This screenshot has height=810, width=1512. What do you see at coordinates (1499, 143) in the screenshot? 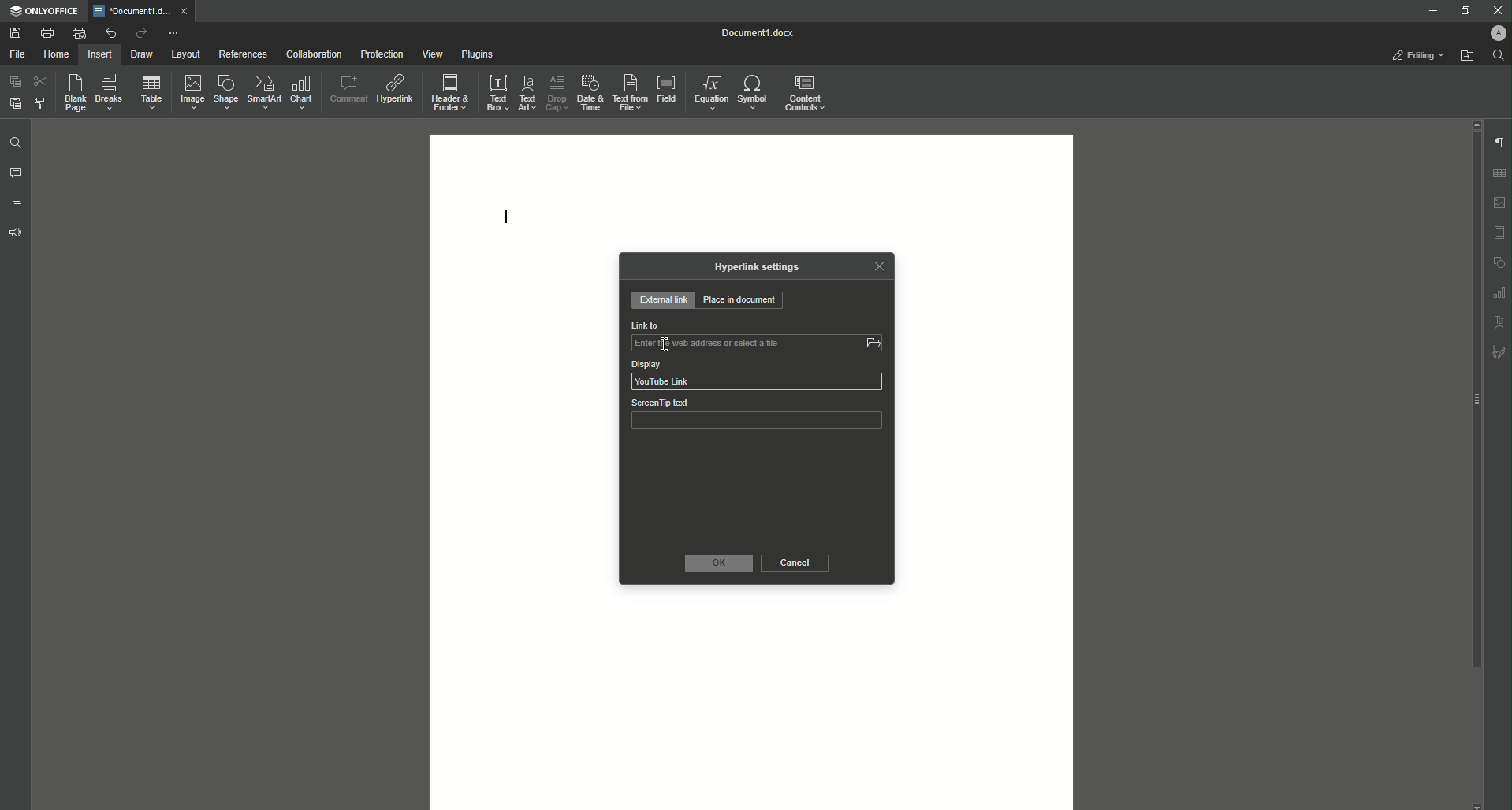
I see `Paragraph Settings` at bounding box center [1499, 143].